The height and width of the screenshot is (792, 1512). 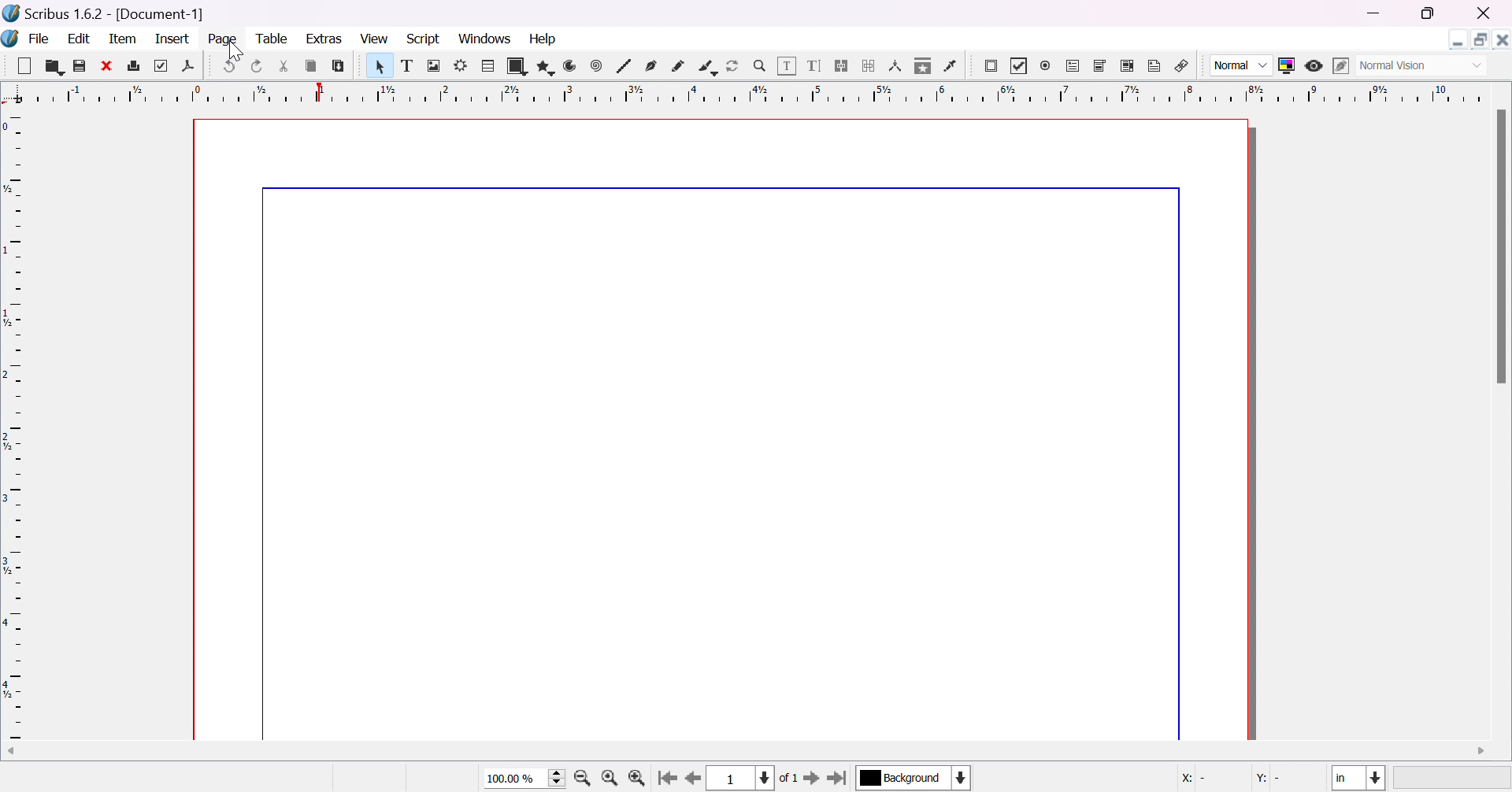 What do you see at coordinates (585, 777) in the screenshot?
I see `zoom out` at bounding box center [585, 777].